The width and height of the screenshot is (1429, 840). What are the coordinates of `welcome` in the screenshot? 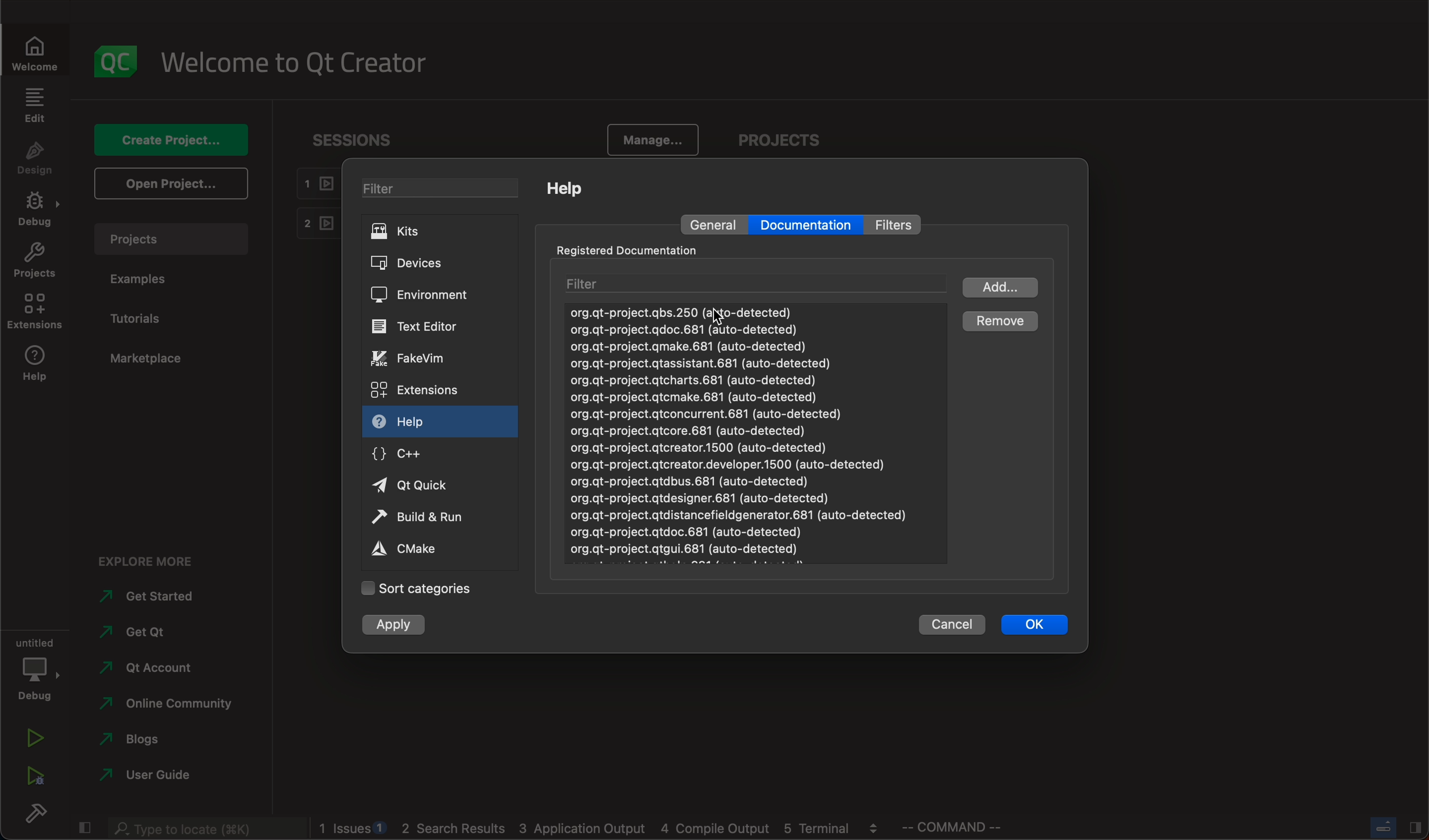 It's located at (294, 63).